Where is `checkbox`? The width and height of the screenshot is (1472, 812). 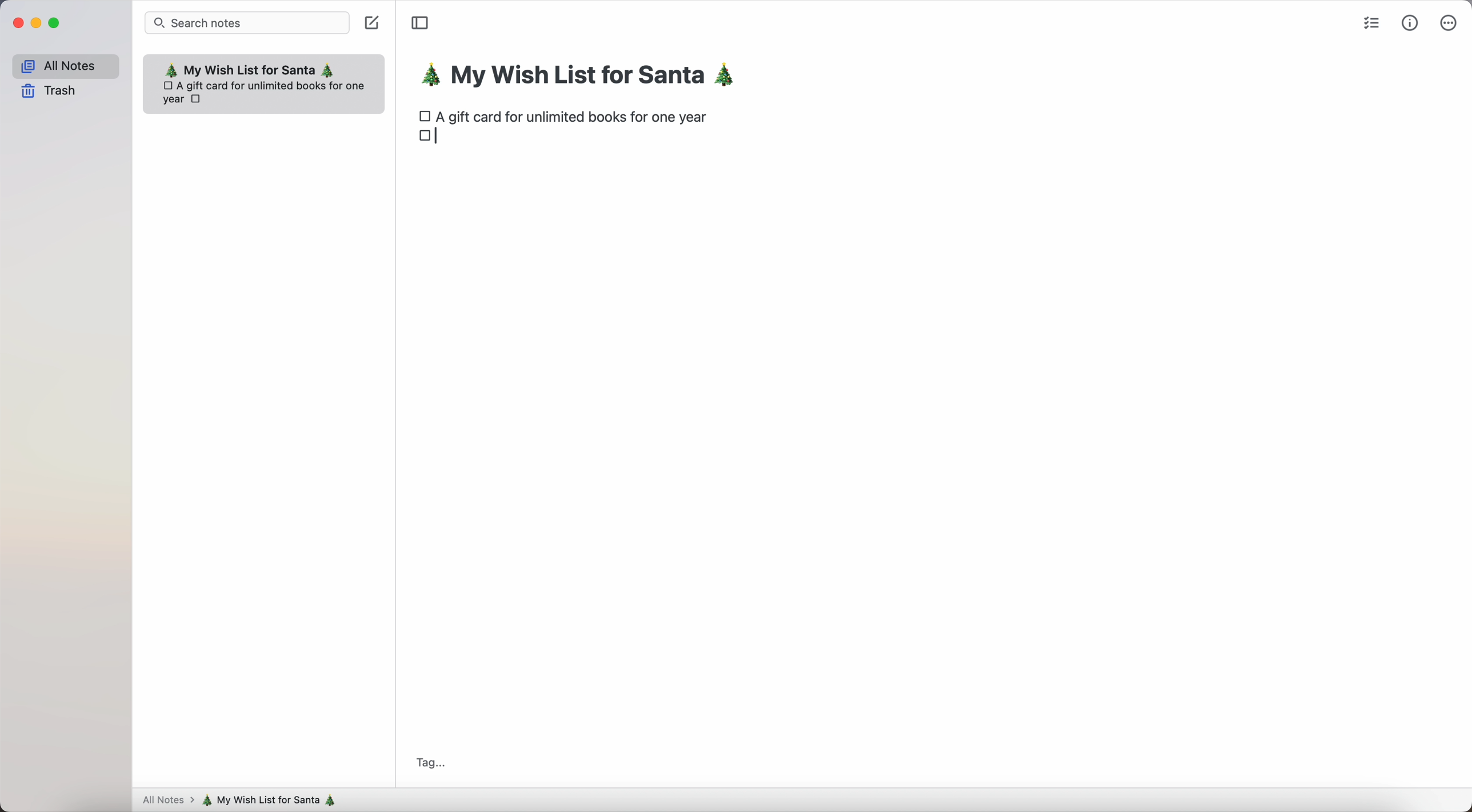
checkbox is located at coordinates (424, 115).